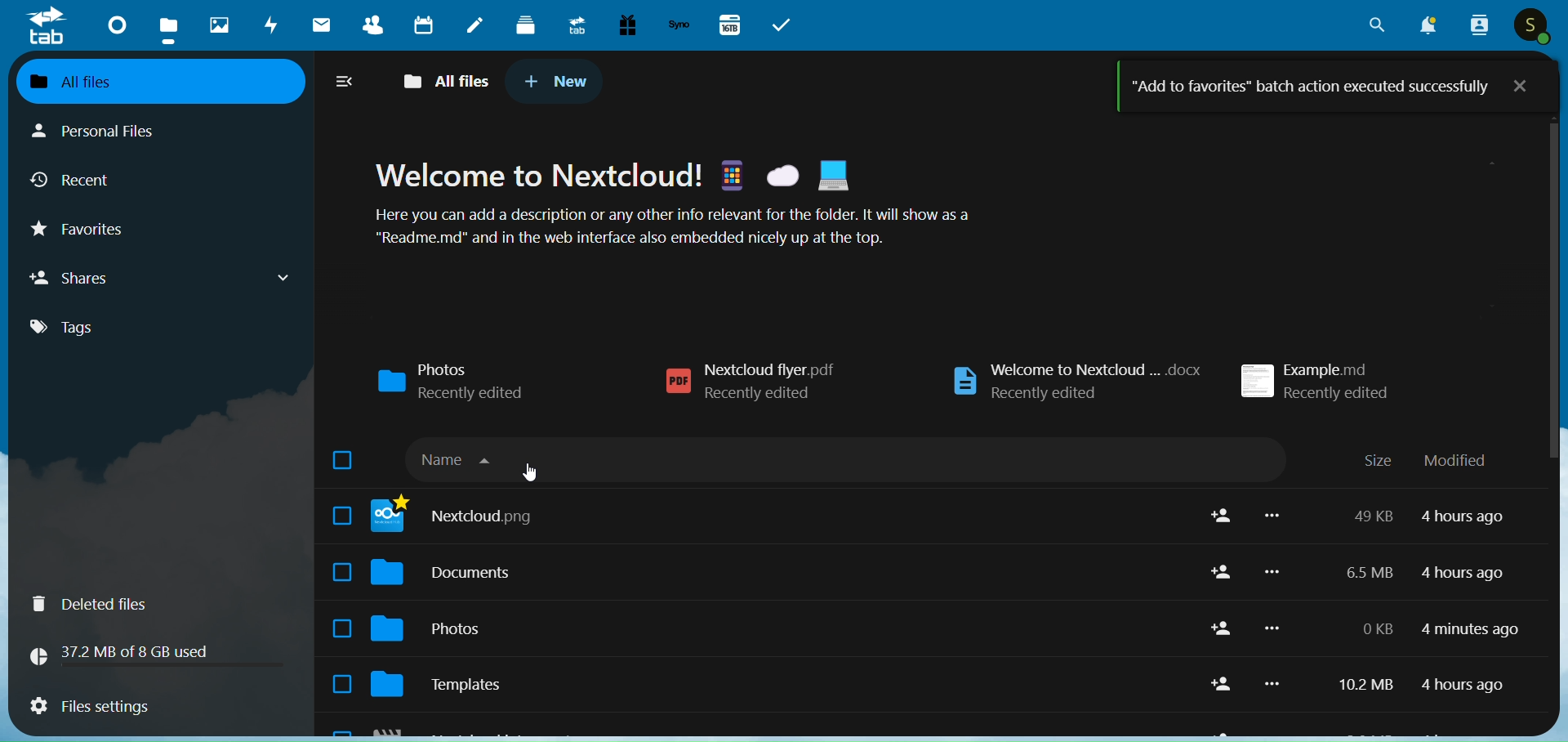 This screenshot has width=1568, height=742. Describe the element at coordinates (452, 382) in the screenshot. I see `Photos Recently edited` at that location.